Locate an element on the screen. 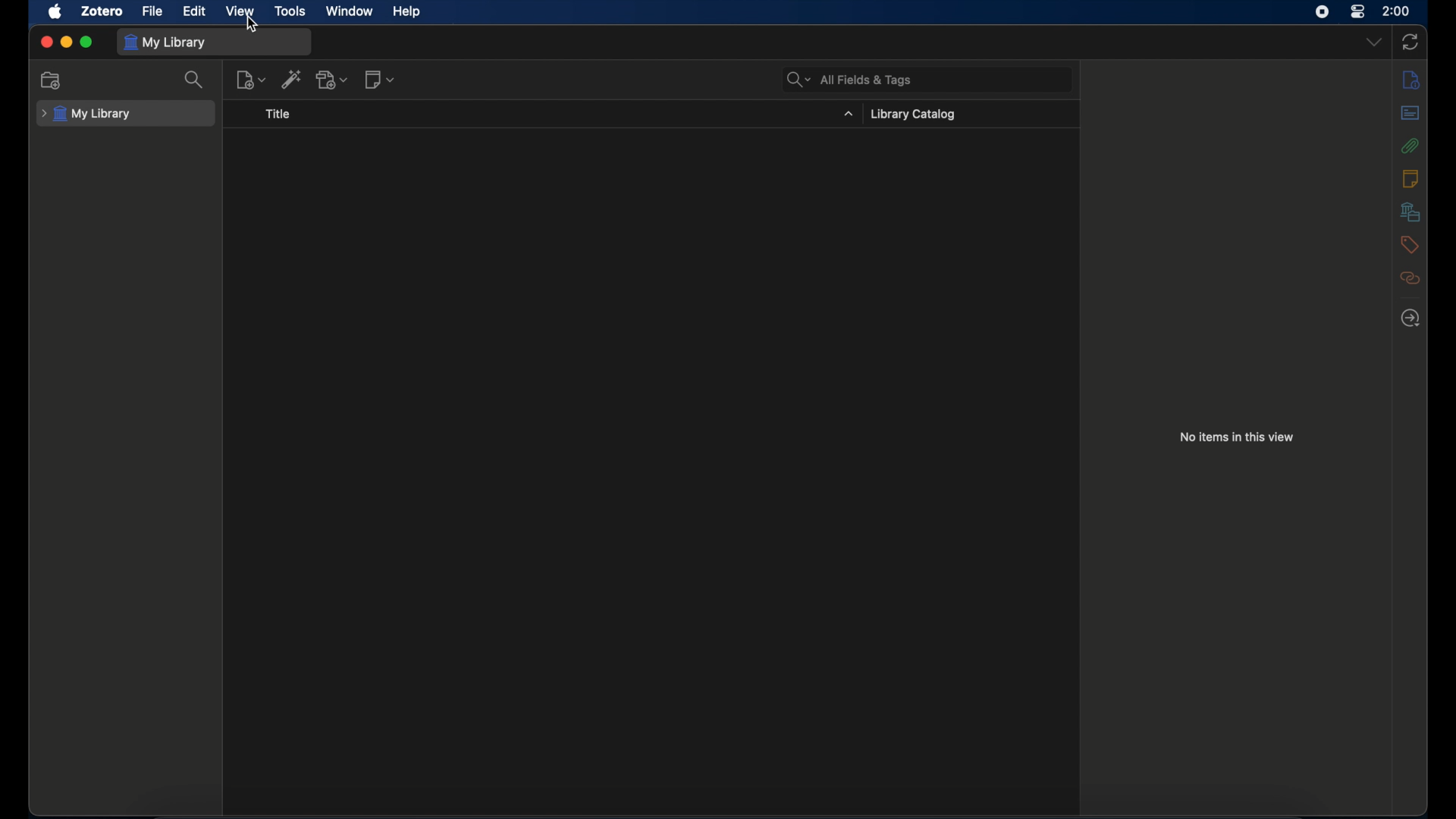 This screenshot has height=819, width=1456. dropdown is located at coordinates (848, 115).